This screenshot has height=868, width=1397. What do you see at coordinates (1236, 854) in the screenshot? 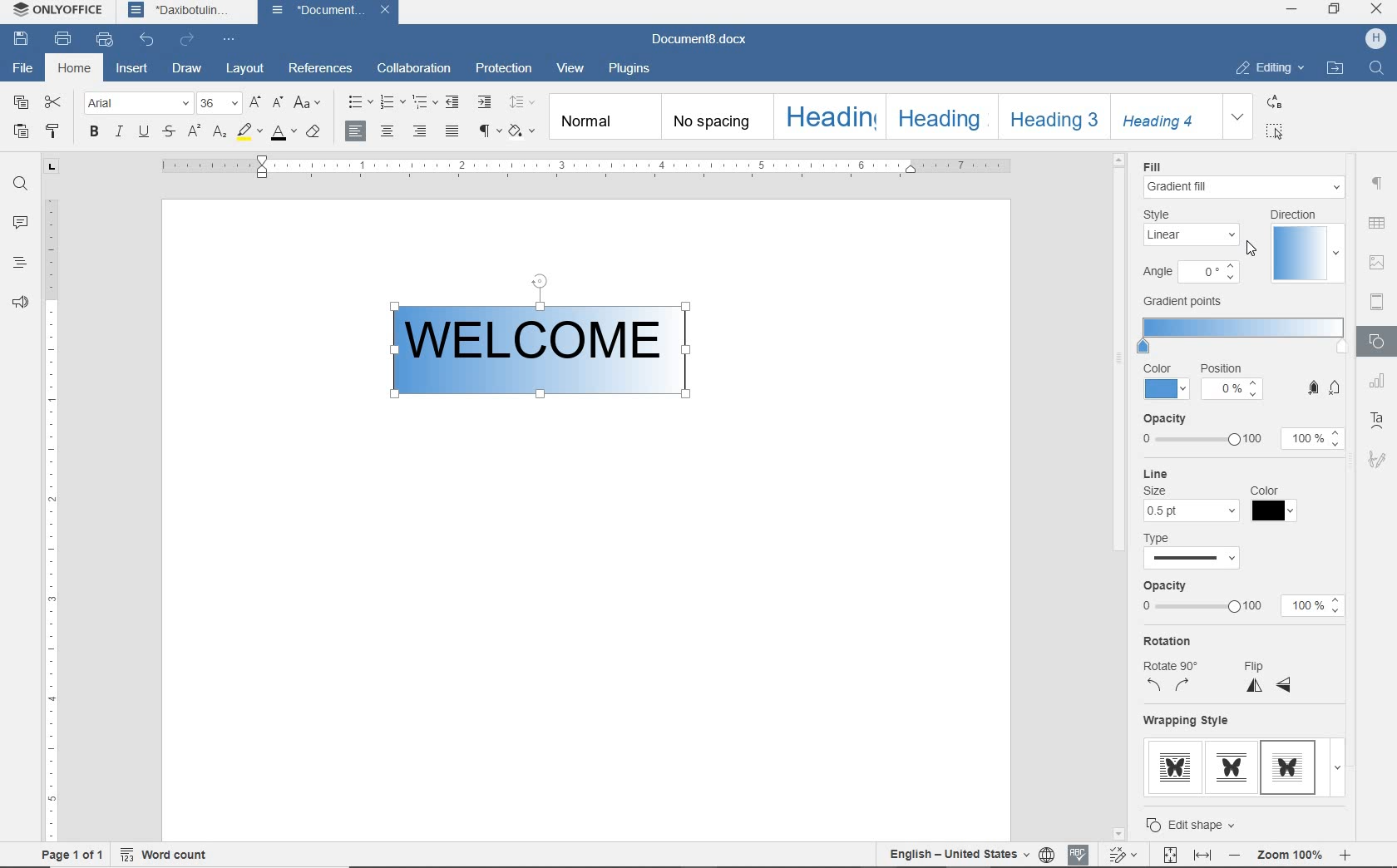
I see `Zoom out` at bounding box center [1236, 854].